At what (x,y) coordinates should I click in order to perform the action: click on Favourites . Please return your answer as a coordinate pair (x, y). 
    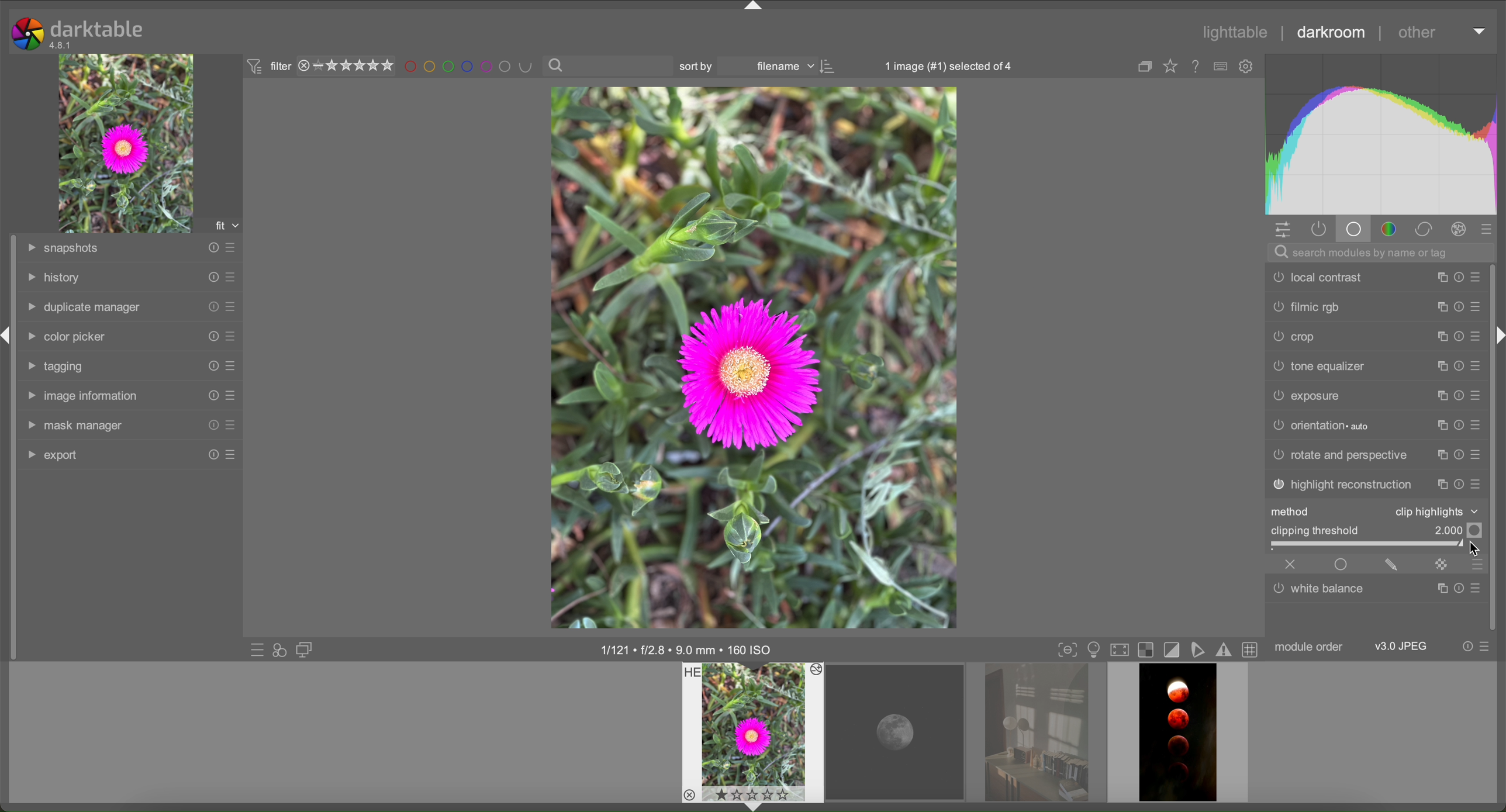
    Looking at the image, I should click on (1170, 68).